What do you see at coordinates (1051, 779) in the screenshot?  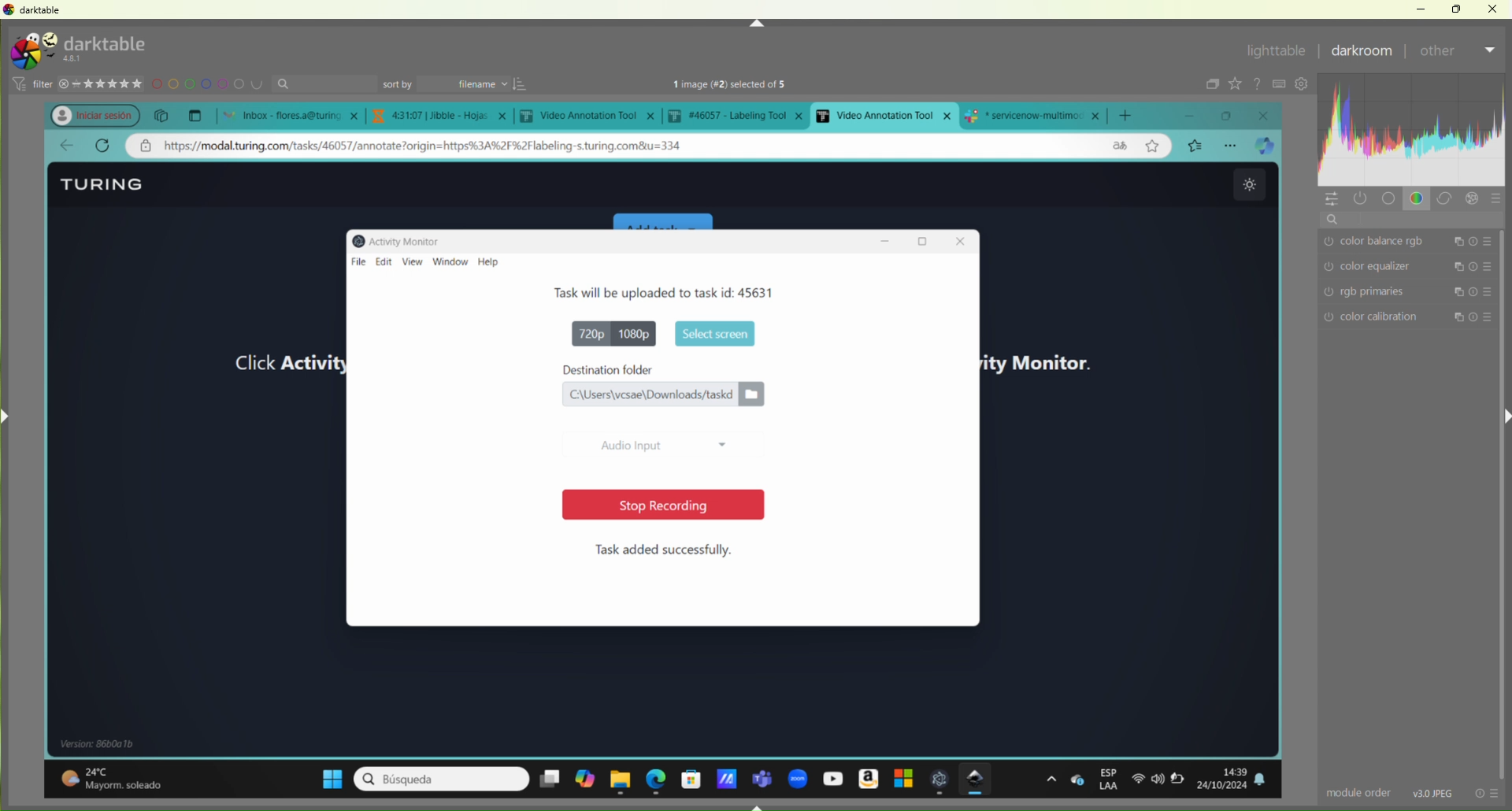 I see `options` at bounding box center [1051, 779].